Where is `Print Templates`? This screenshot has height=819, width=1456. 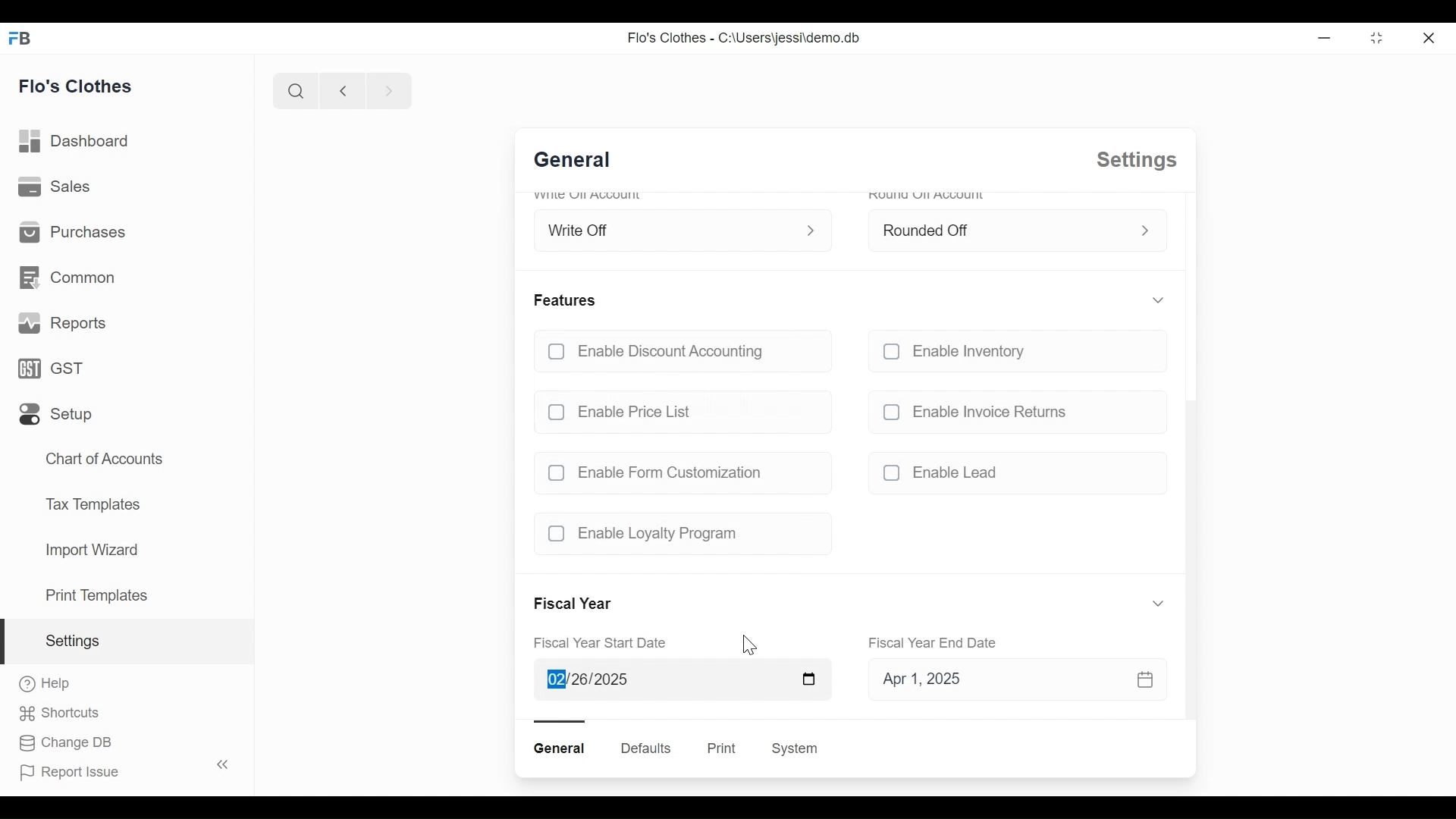 Print Templates is located at coordinates (96, 595).